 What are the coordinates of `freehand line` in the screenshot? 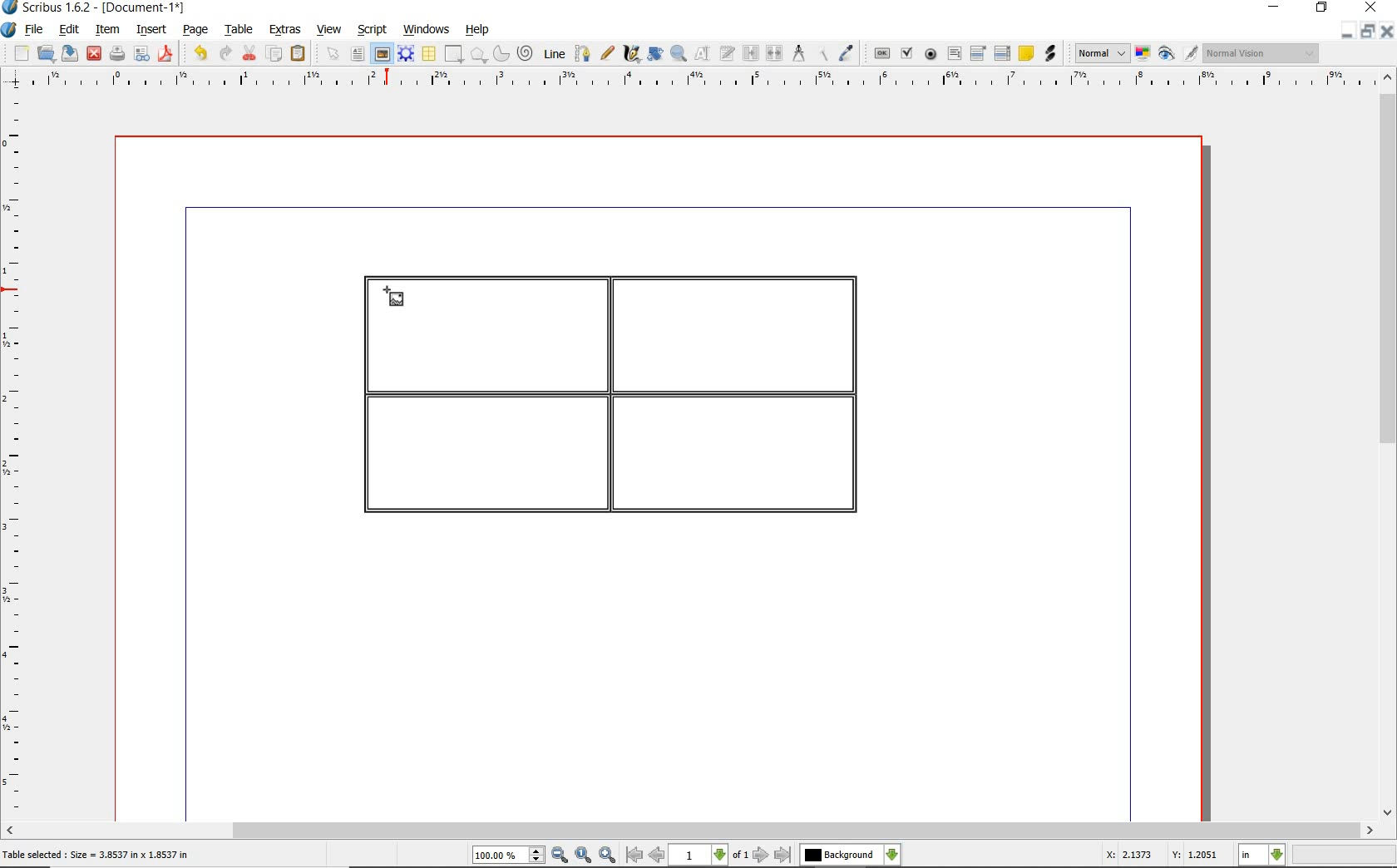 It's located at (609, 54).